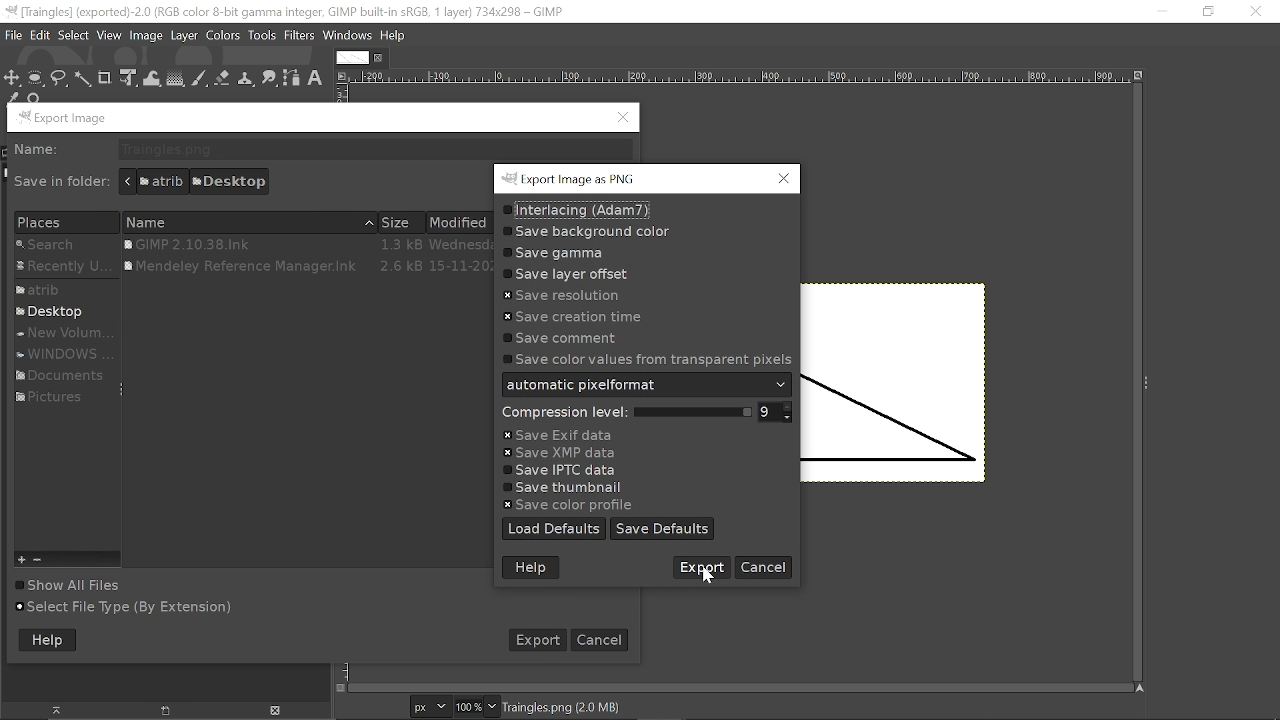 The width and height of the screenshot is (1280, 720). I want to click on Help, so click(393, 35).